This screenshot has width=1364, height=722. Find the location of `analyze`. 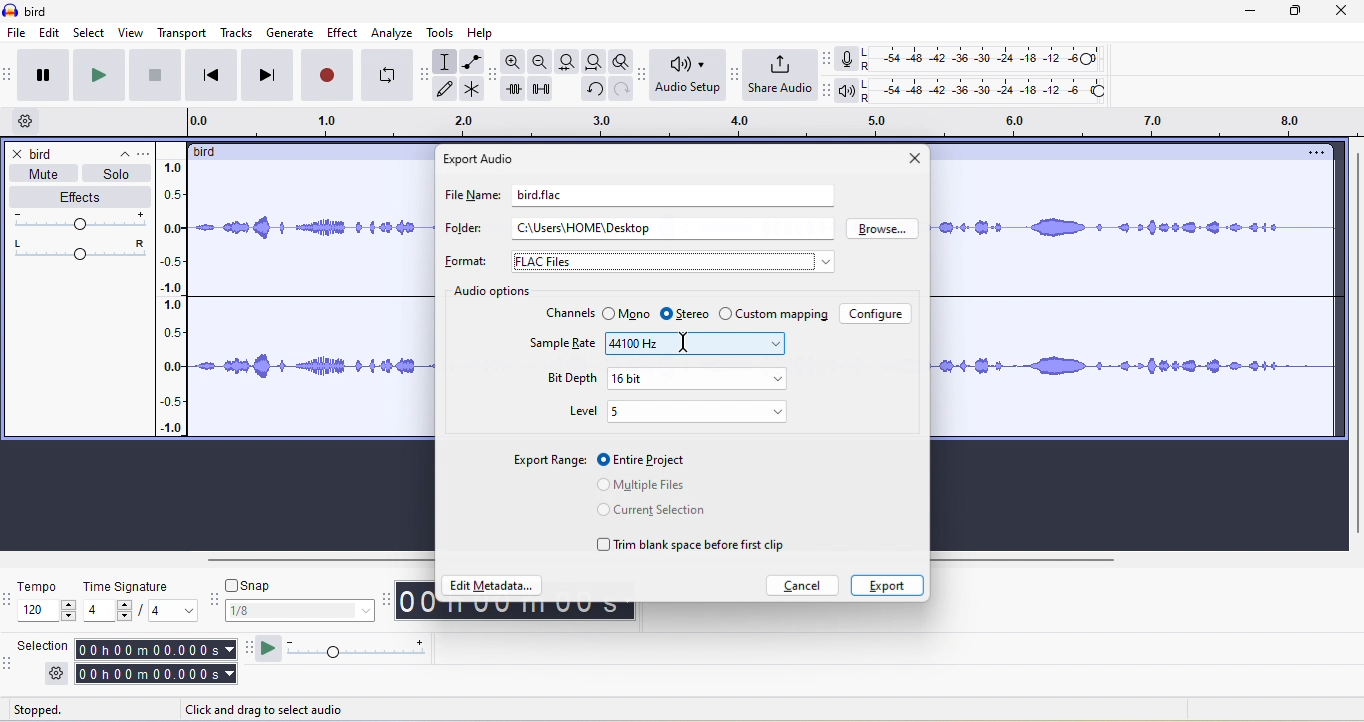

analyze is located at coordinates (393, 33).